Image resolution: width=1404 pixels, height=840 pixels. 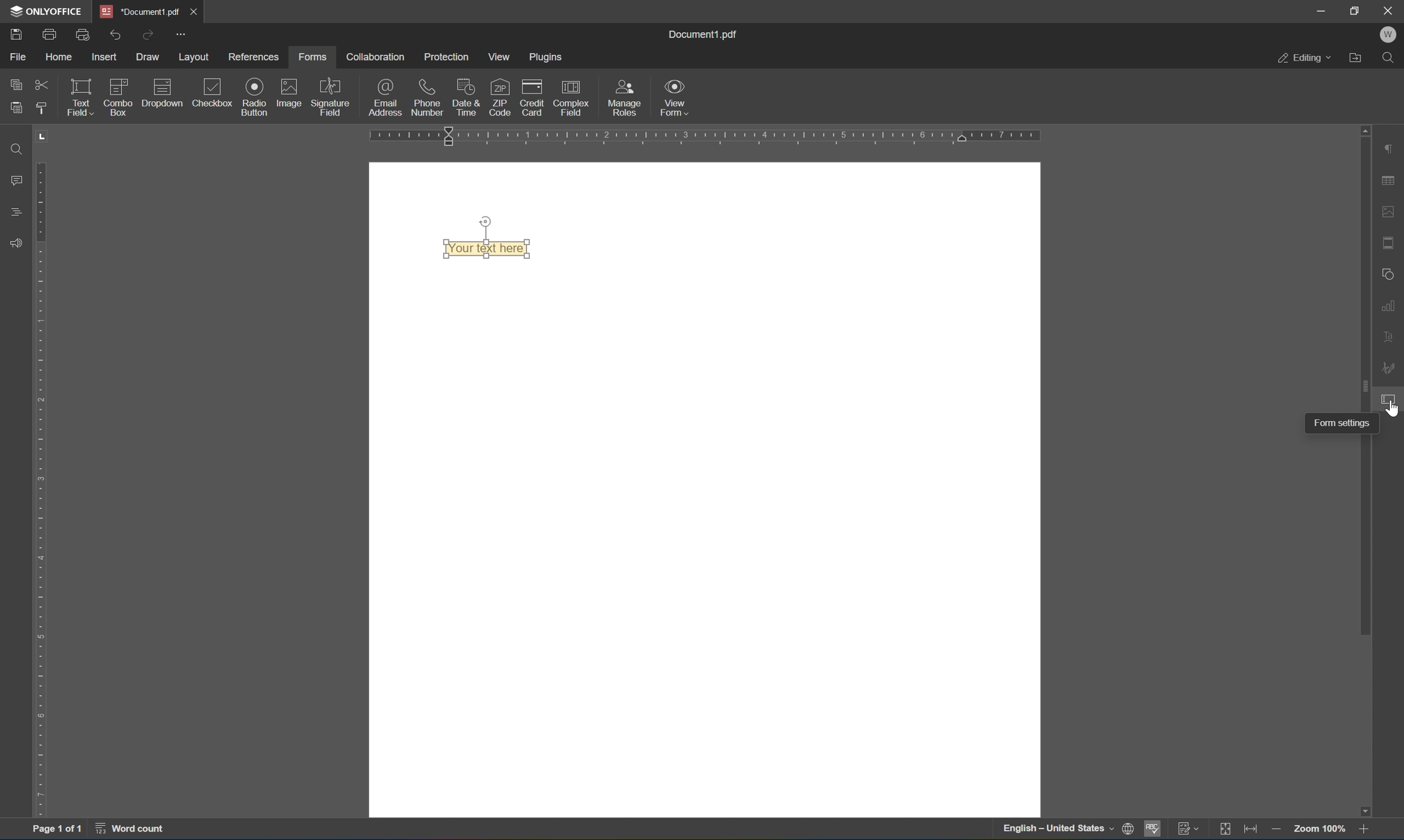 I want to click on ruler, so click(x=43, y=486).